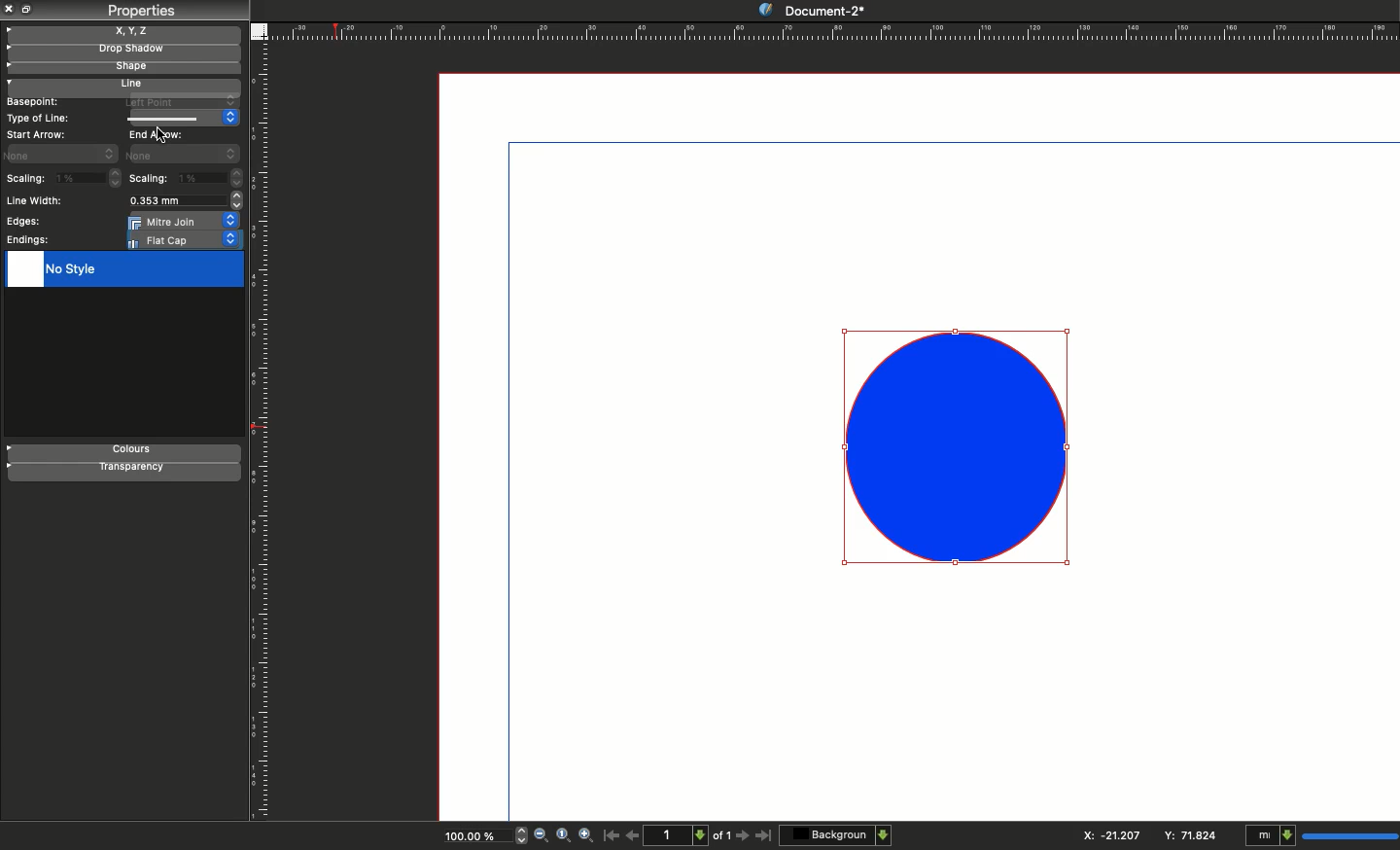 This screenshot has height=850, width=1400. What do you see at coordinates (722, 838) in the screenshot?
I see `of 1` at bounding box center [722, 838].